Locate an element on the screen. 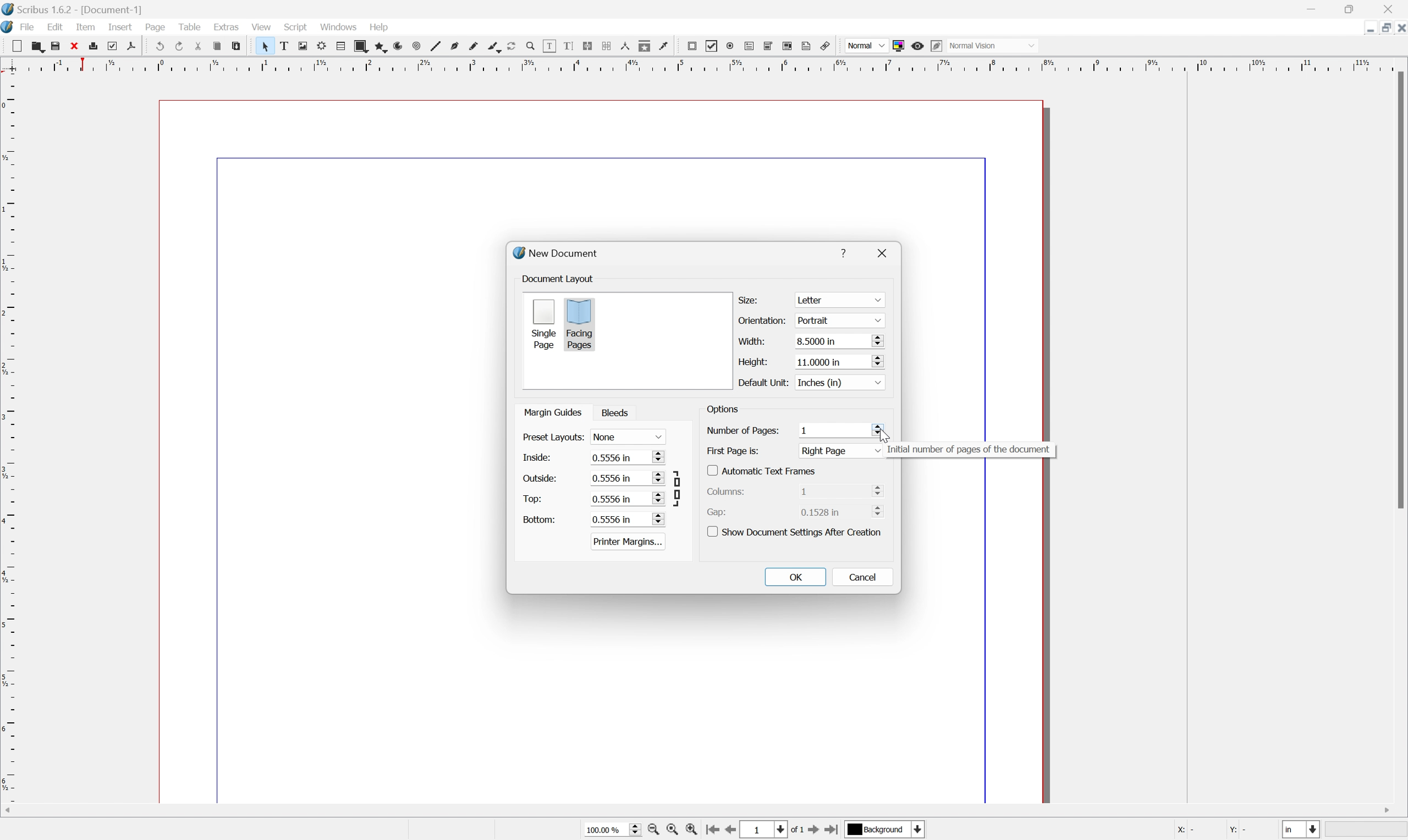 This screenshot has width=1408, height=840. Save as PDF is located at coordinates (136, 46).